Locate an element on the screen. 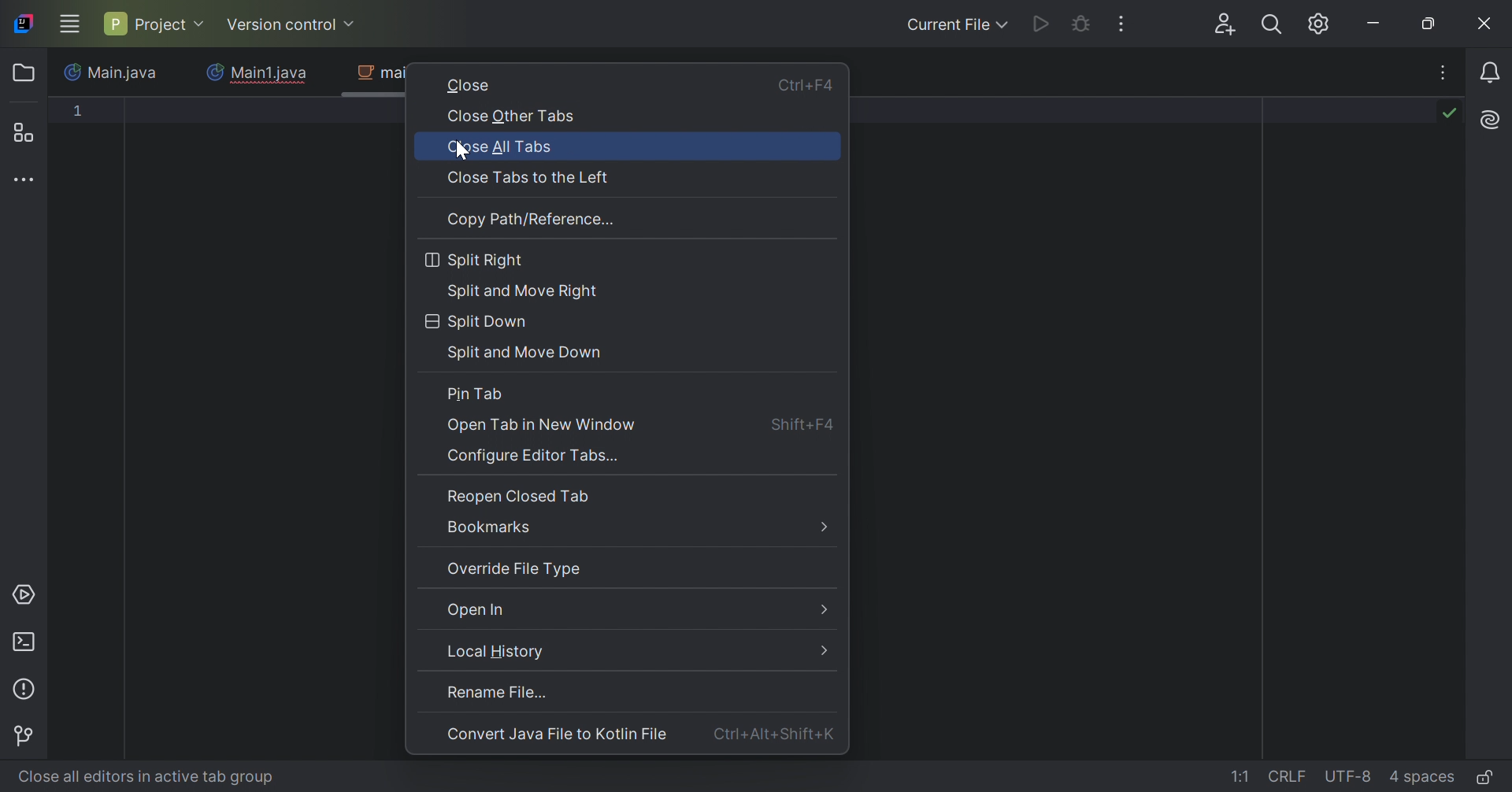  Current File is located at coordinates (957, 25).